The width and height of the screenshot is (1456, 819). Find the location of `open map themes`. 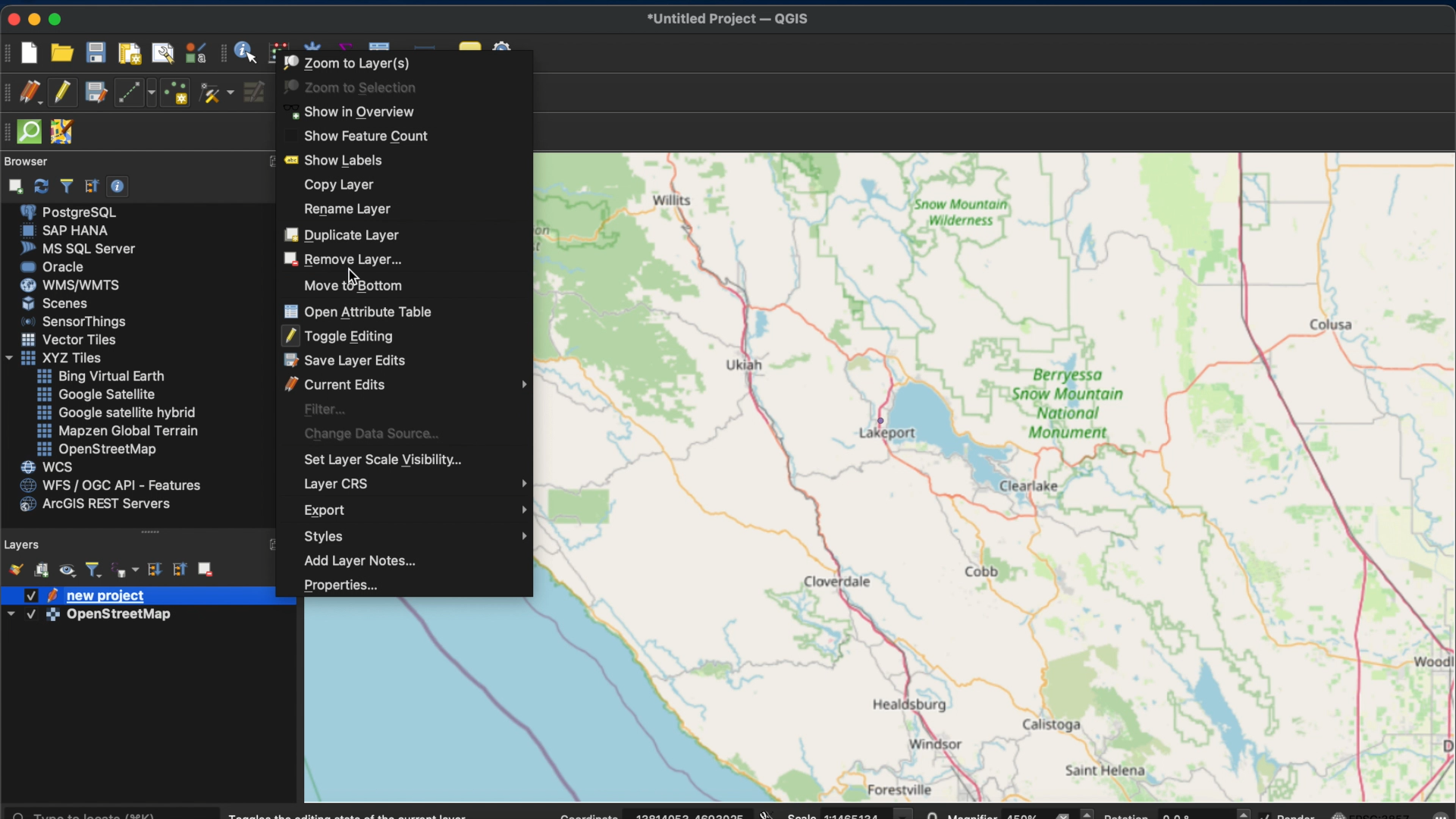

open map themes is located at coordinates (67, 572).